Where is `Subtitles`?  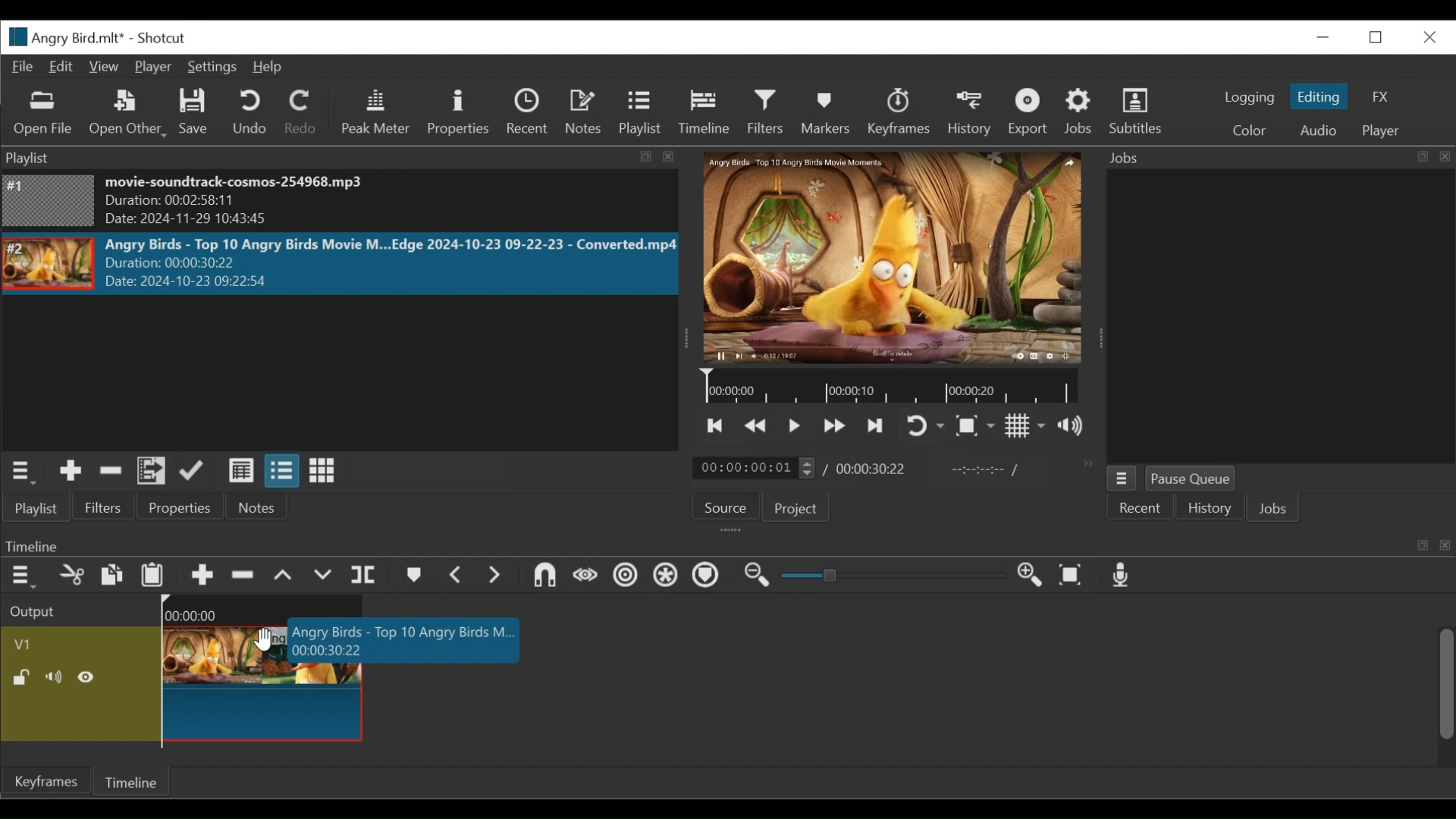 Subtitles is located at coordinates (1141, 113).